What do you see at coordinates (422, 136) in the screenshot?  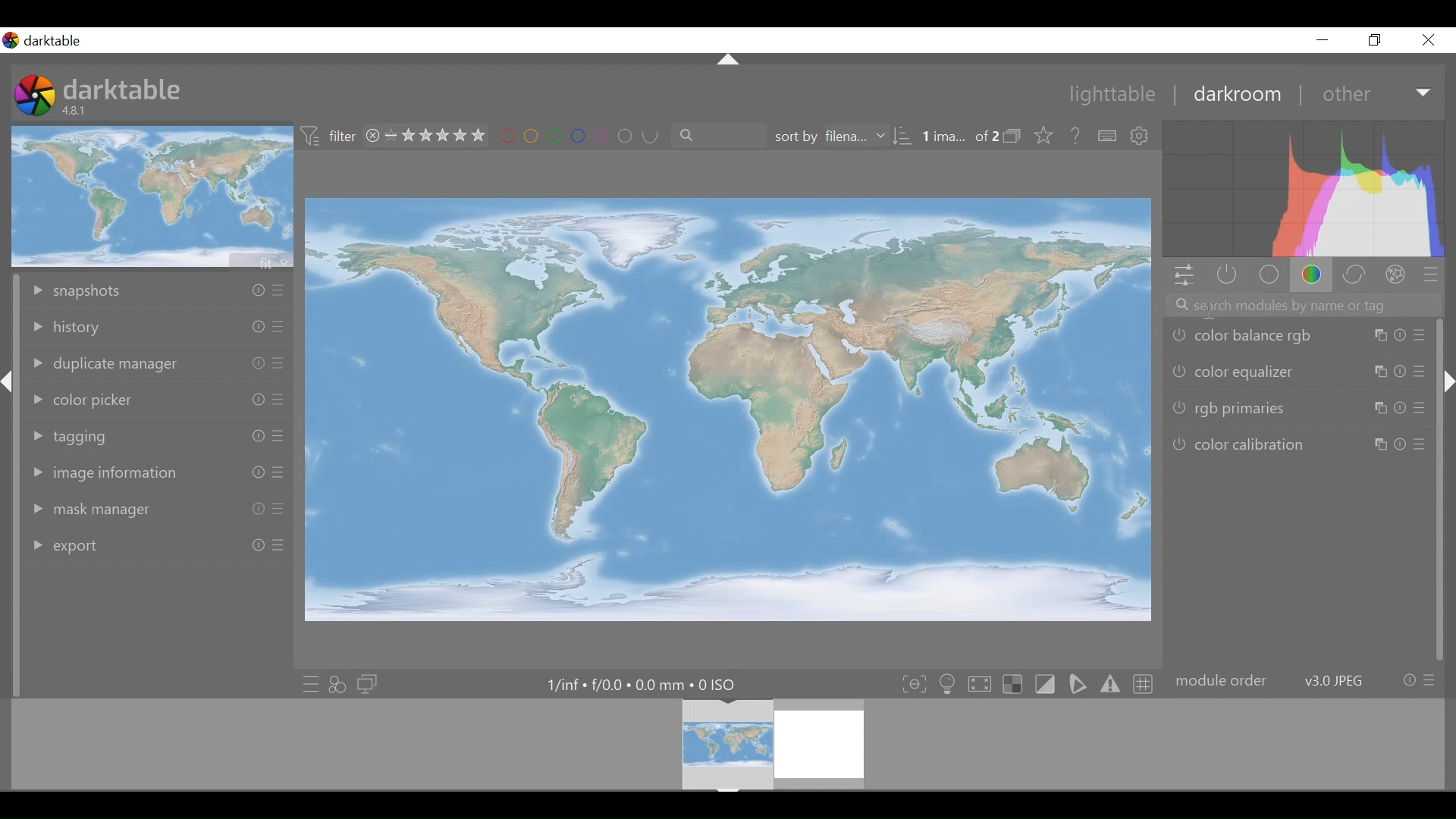 I see `range filtering` at bounding box center [422, 136].